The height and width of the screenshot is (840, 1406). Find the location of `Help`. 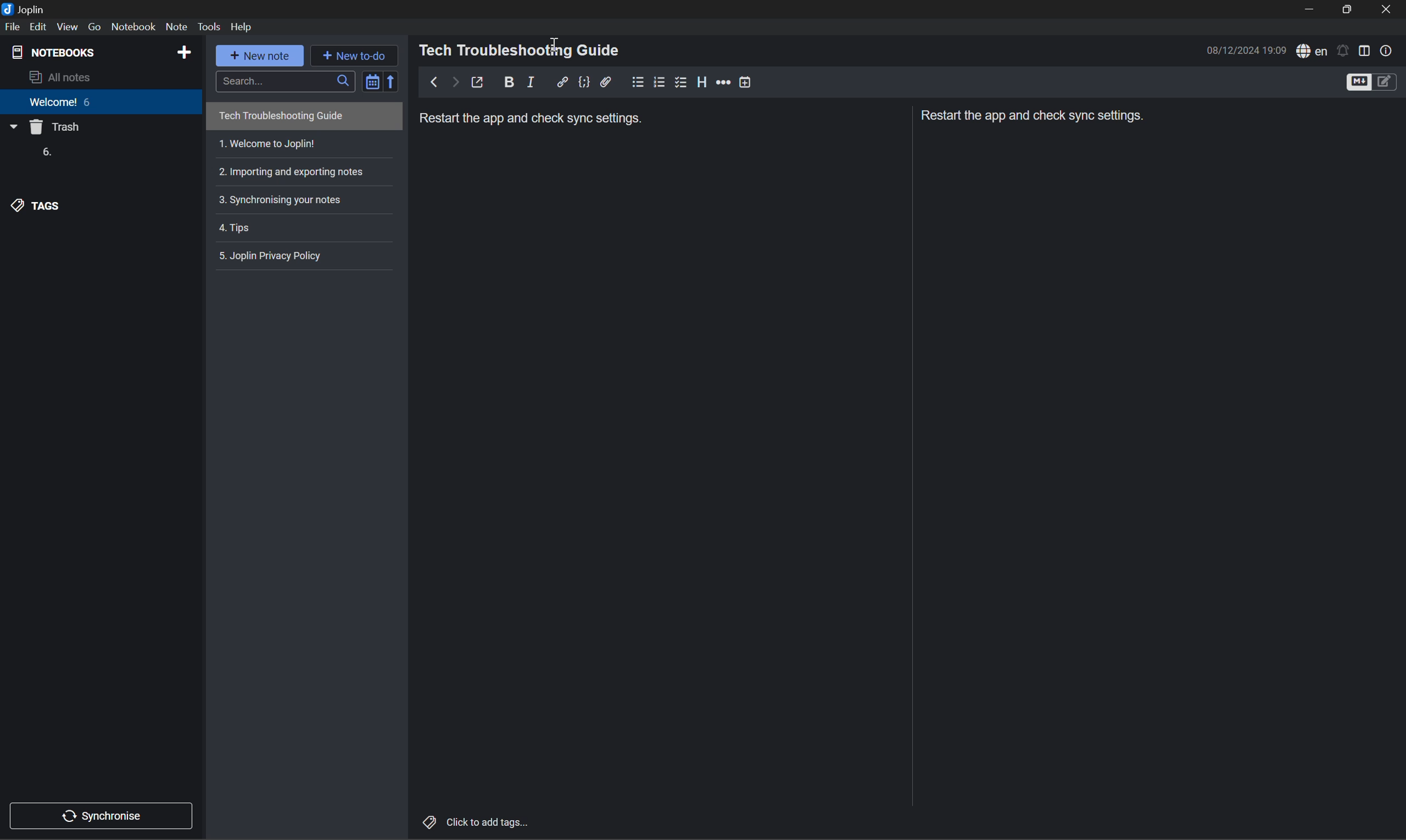

Help is located at coordinates (246, 27).